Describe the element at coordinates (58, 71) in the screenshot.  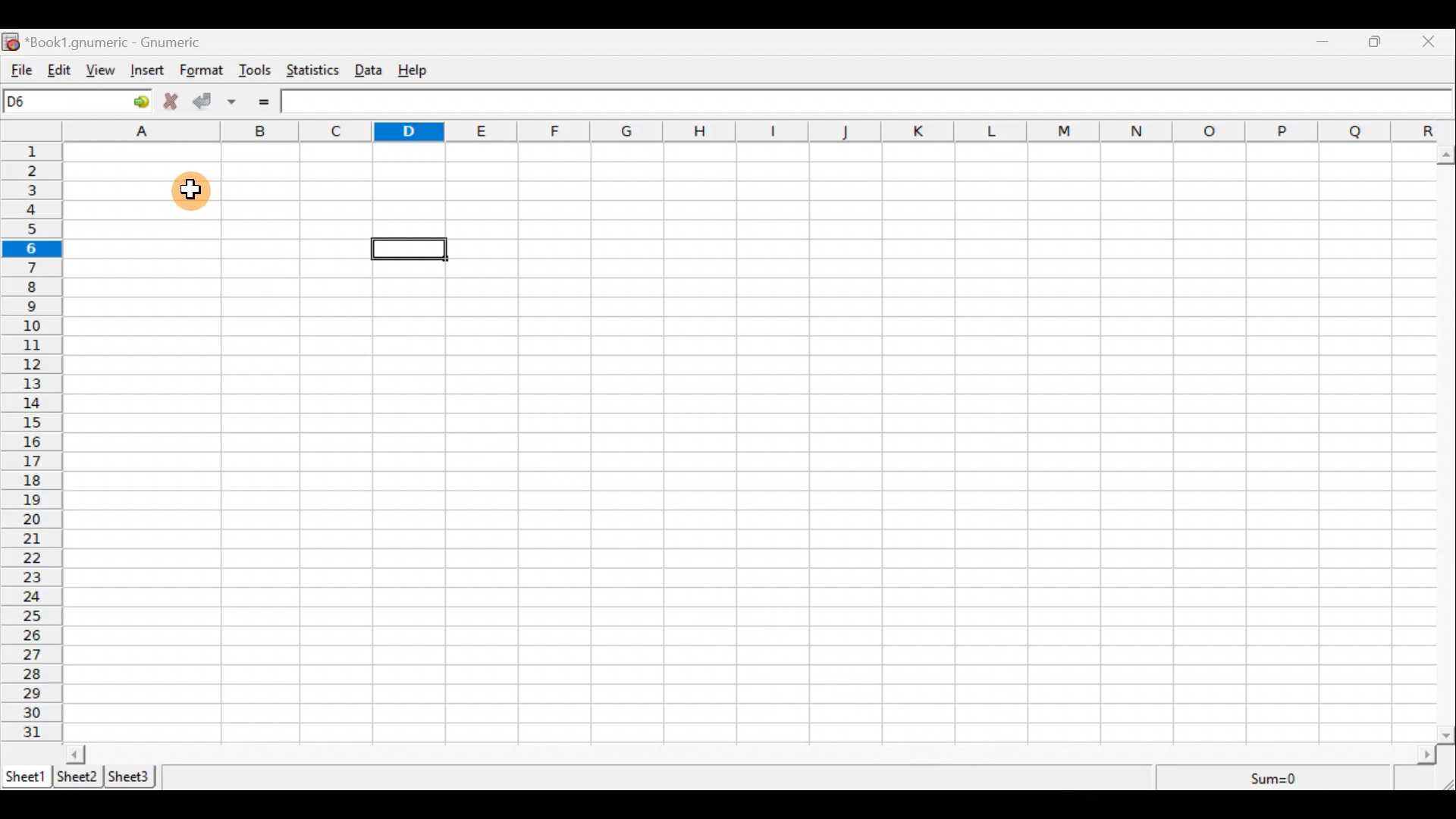
I see `Edit` at that location.